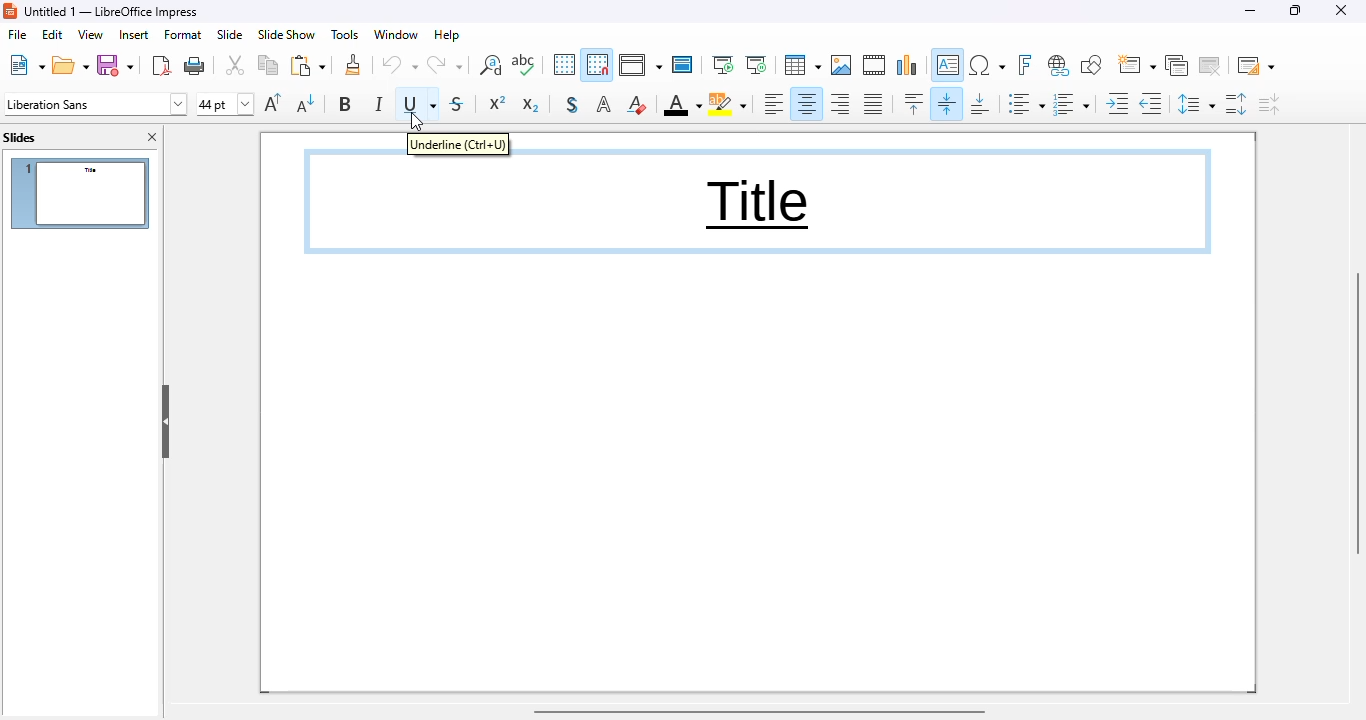 The height and width of the screenshot is (720, 1366). What do you see at coordinates (1295, 10) in the screenshot?
I see `maximize` at bounding box center [1295, 10].